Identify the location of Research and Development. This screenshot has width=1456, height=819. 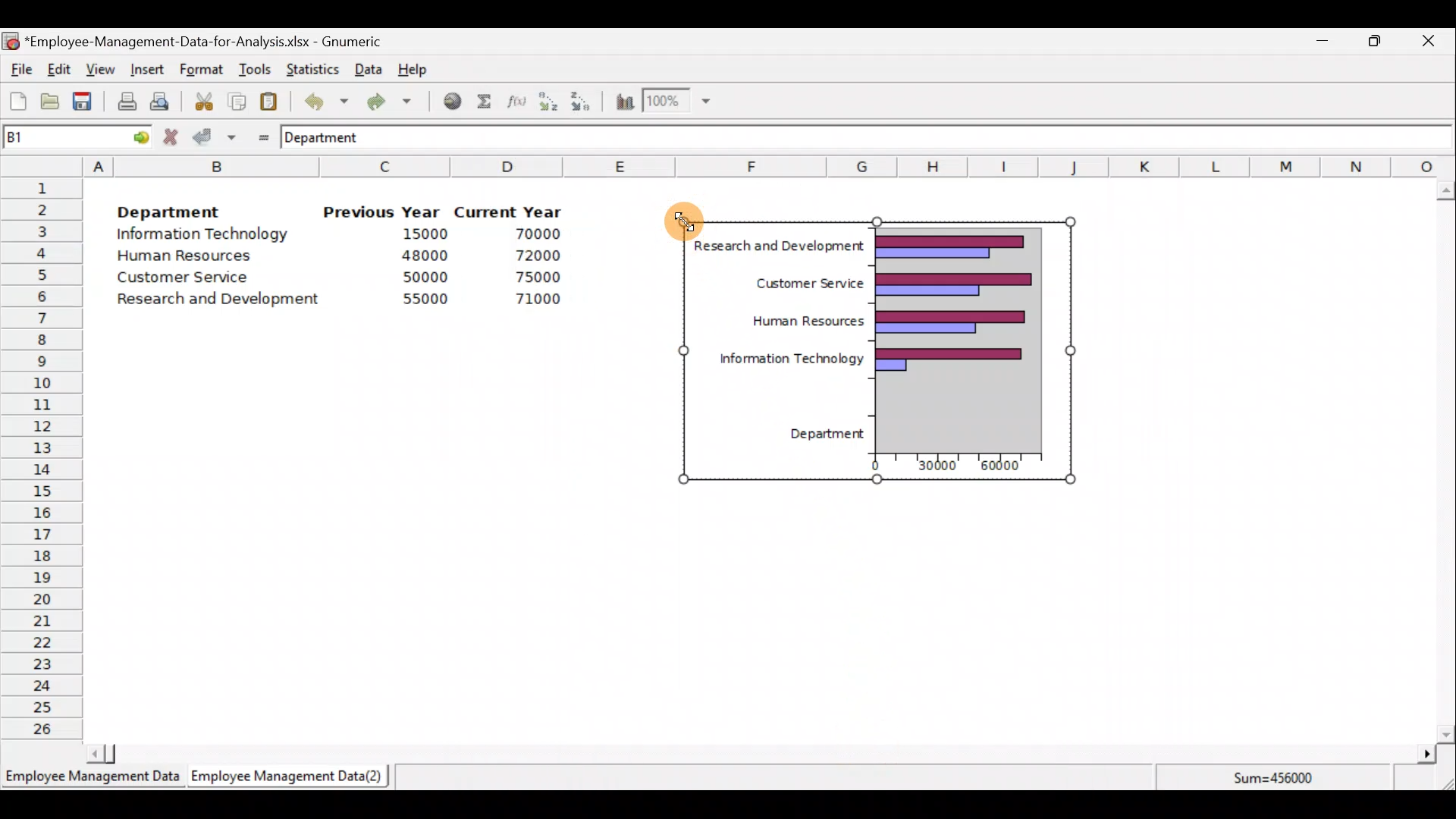
(224, 301).